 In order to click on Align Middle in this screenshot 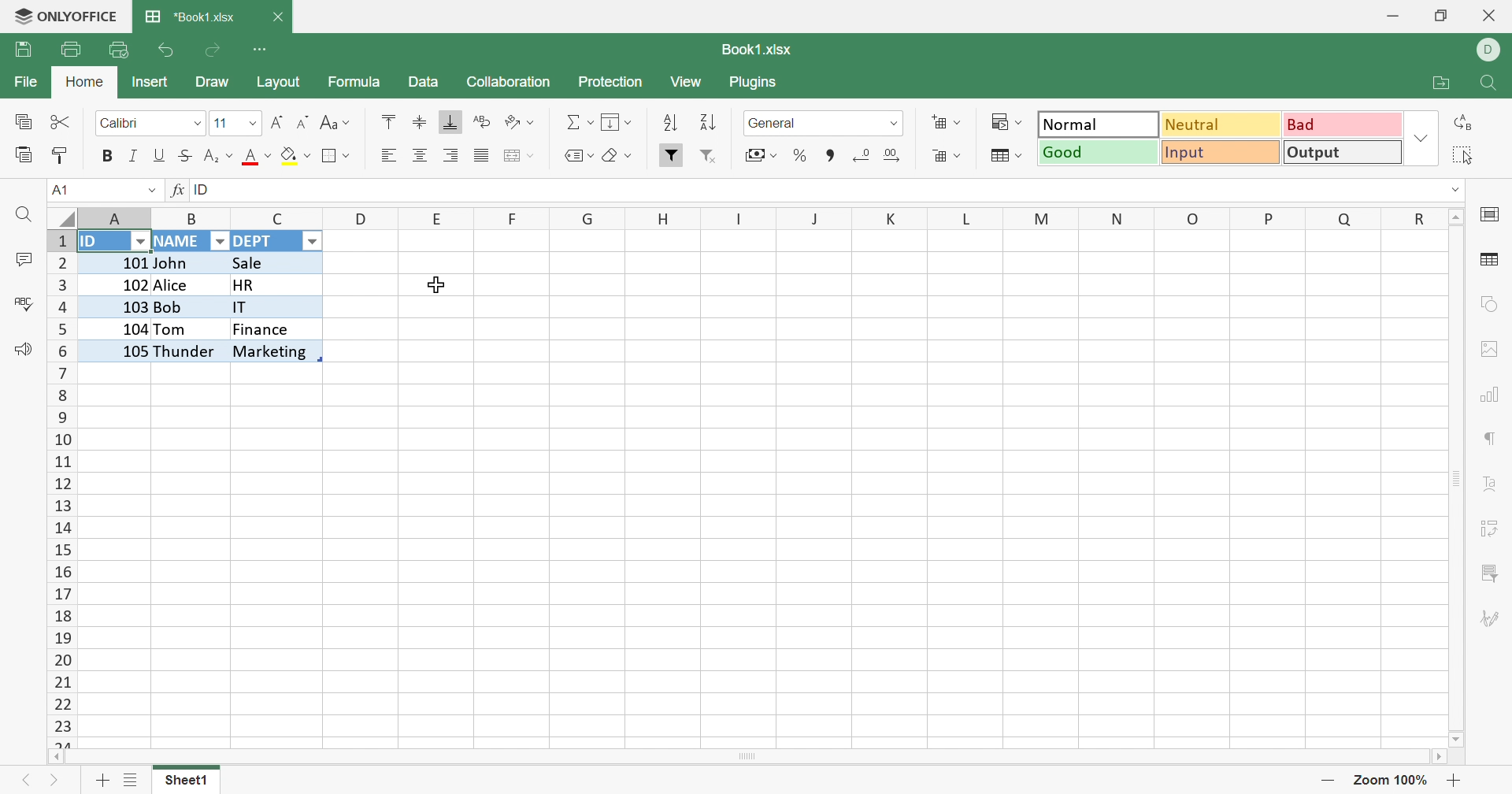, I will do `click(421, 123)`.